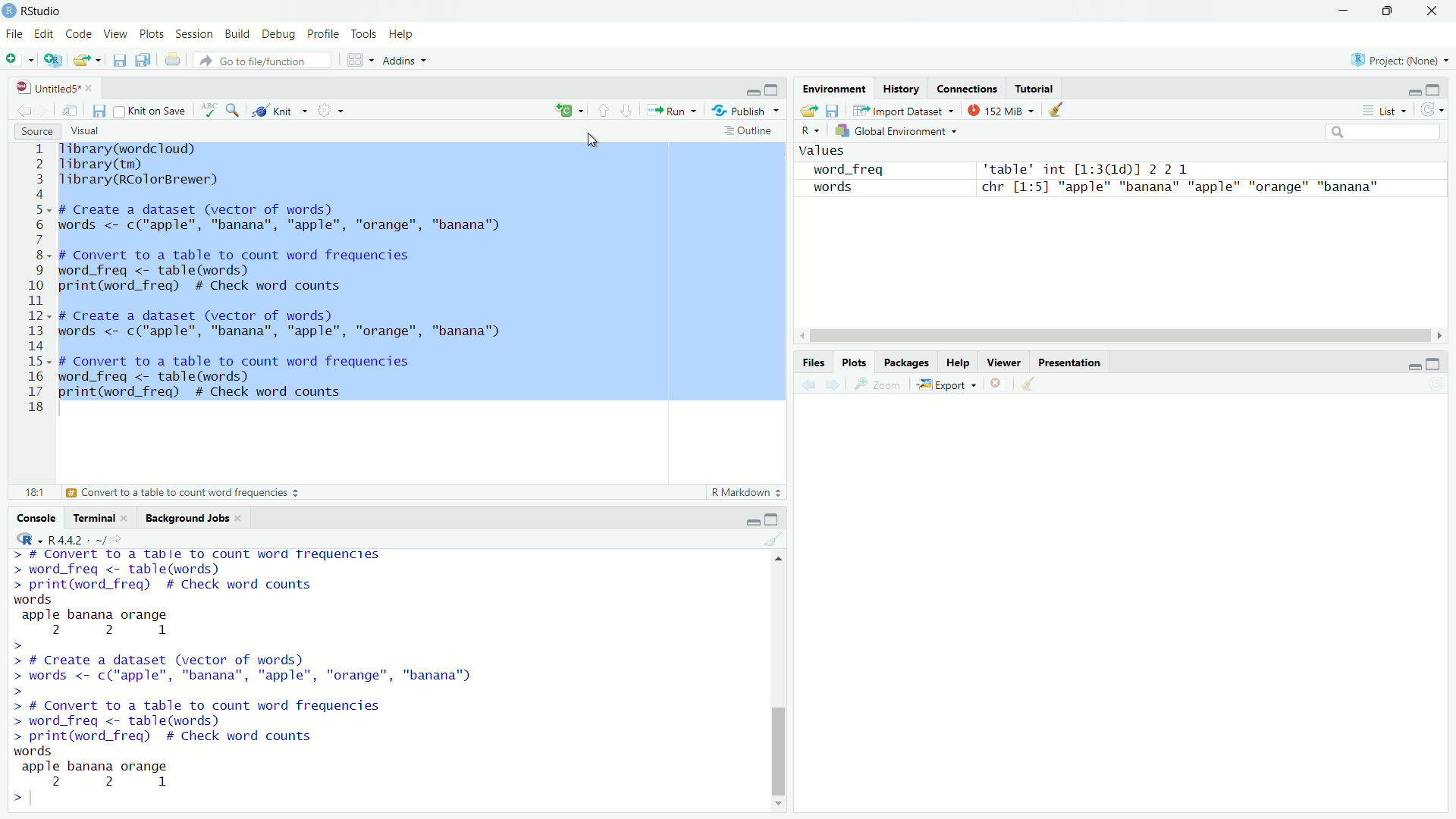 This screenshot has height=819, width=1456. I want to click on 18:1, so click(31, 491).